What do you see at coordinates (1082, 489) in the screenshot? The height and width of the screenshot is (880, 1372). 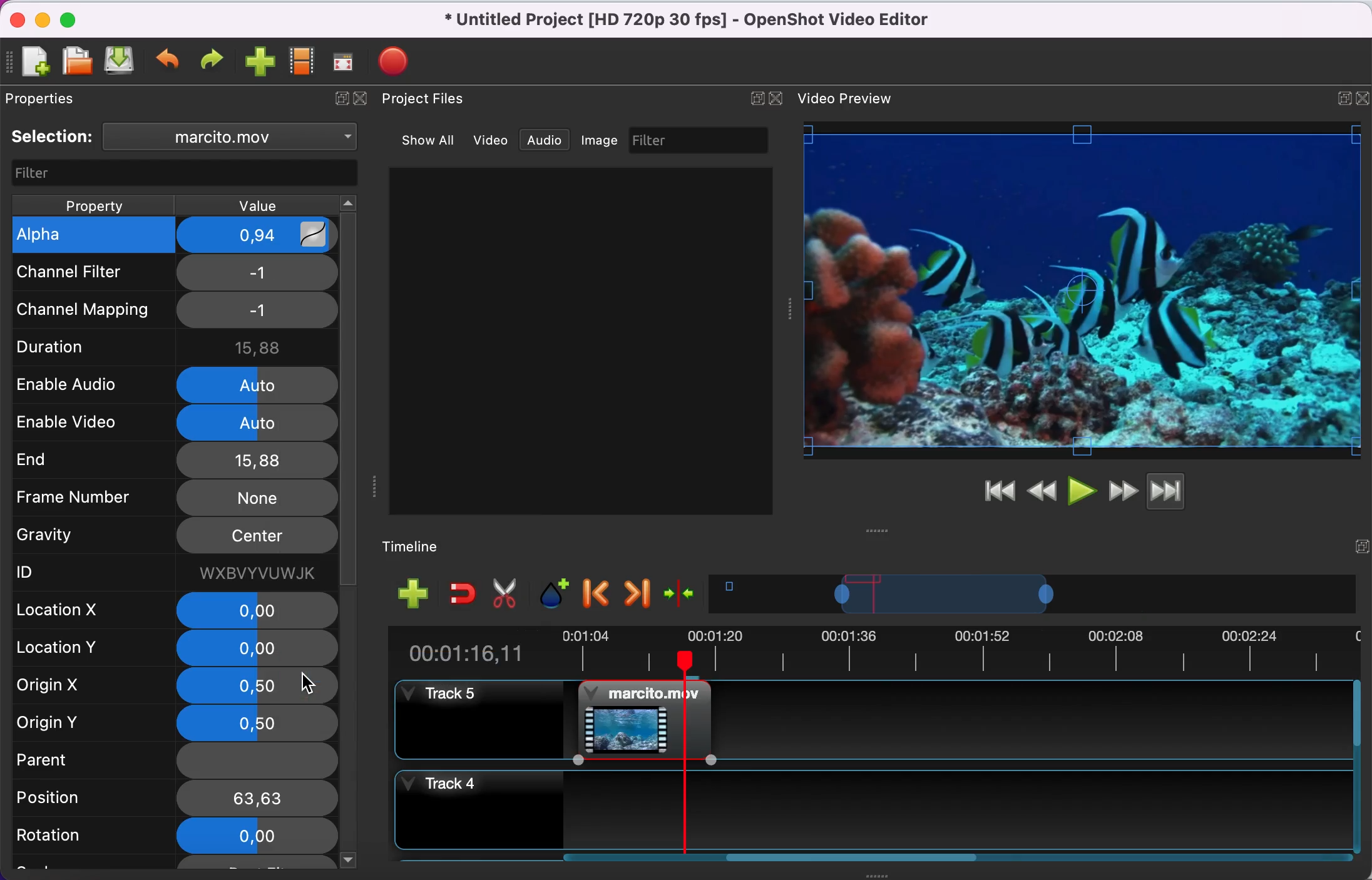 I see `play` at bounding box center [1082, 489].